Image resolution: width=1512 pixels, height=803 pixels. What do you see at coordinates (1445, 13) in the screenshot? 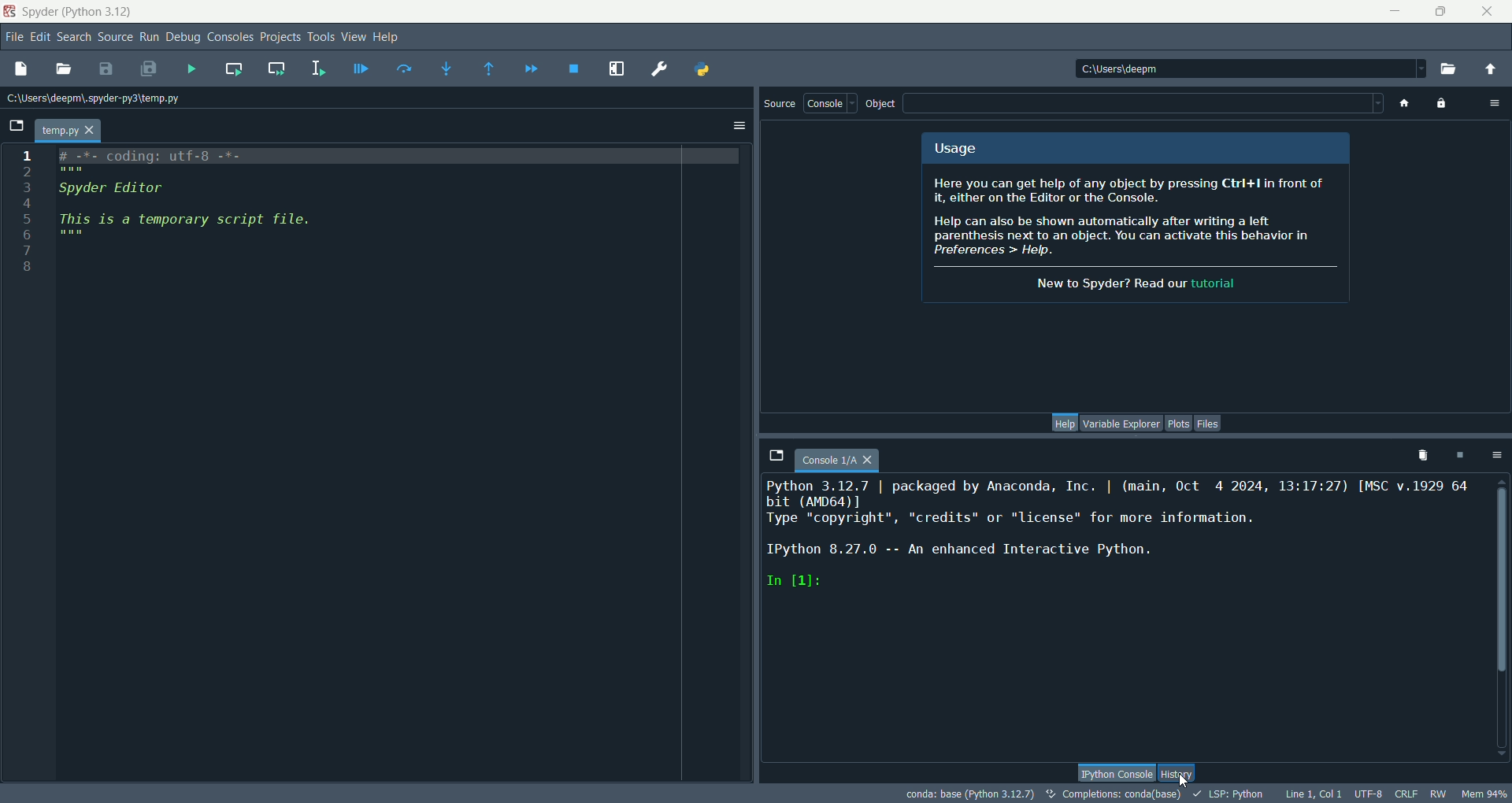
I see `maximize` at bounding box center [1445, 13].